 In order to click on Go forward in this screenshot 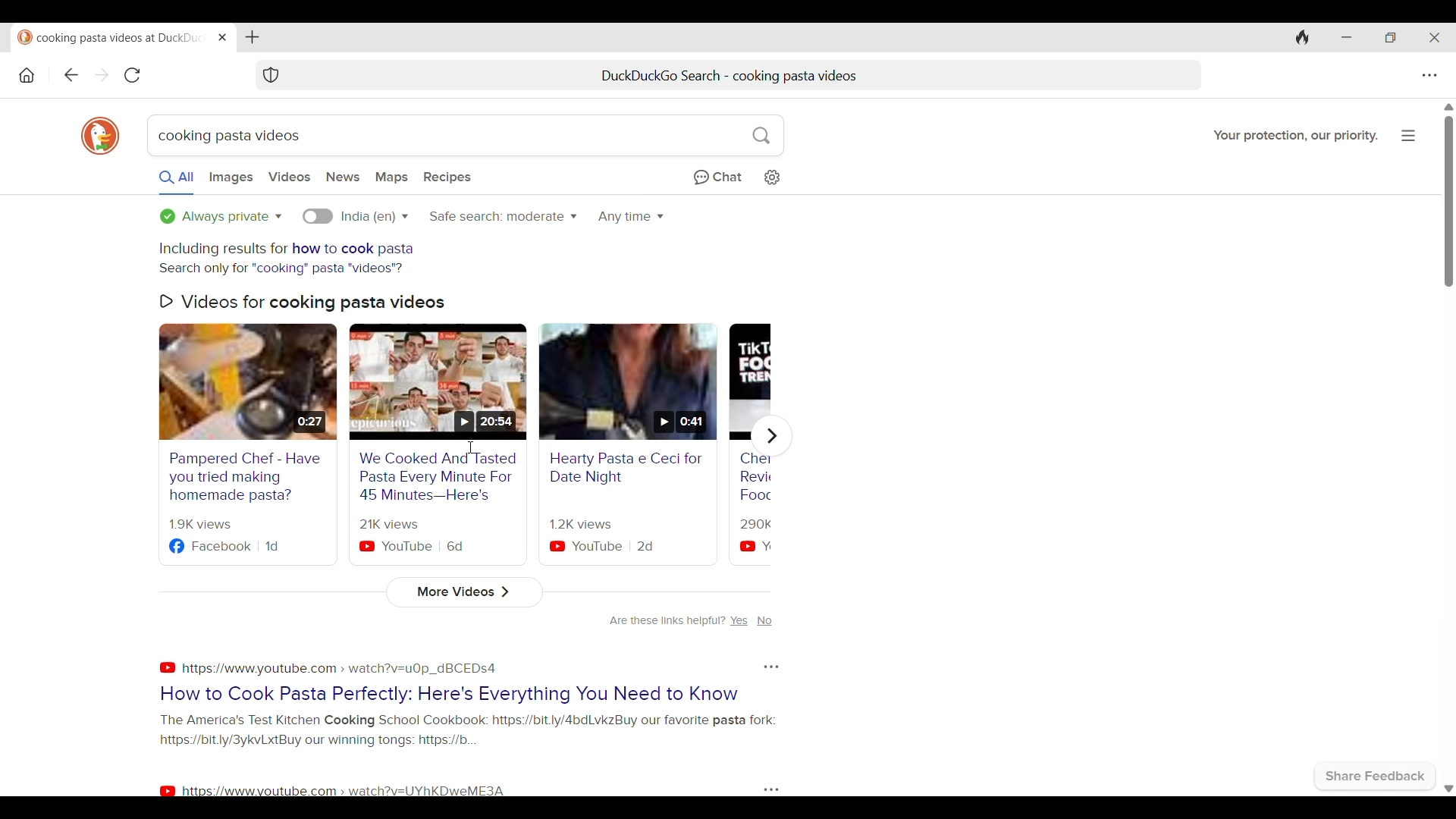, I will do `click(102, 76)`.